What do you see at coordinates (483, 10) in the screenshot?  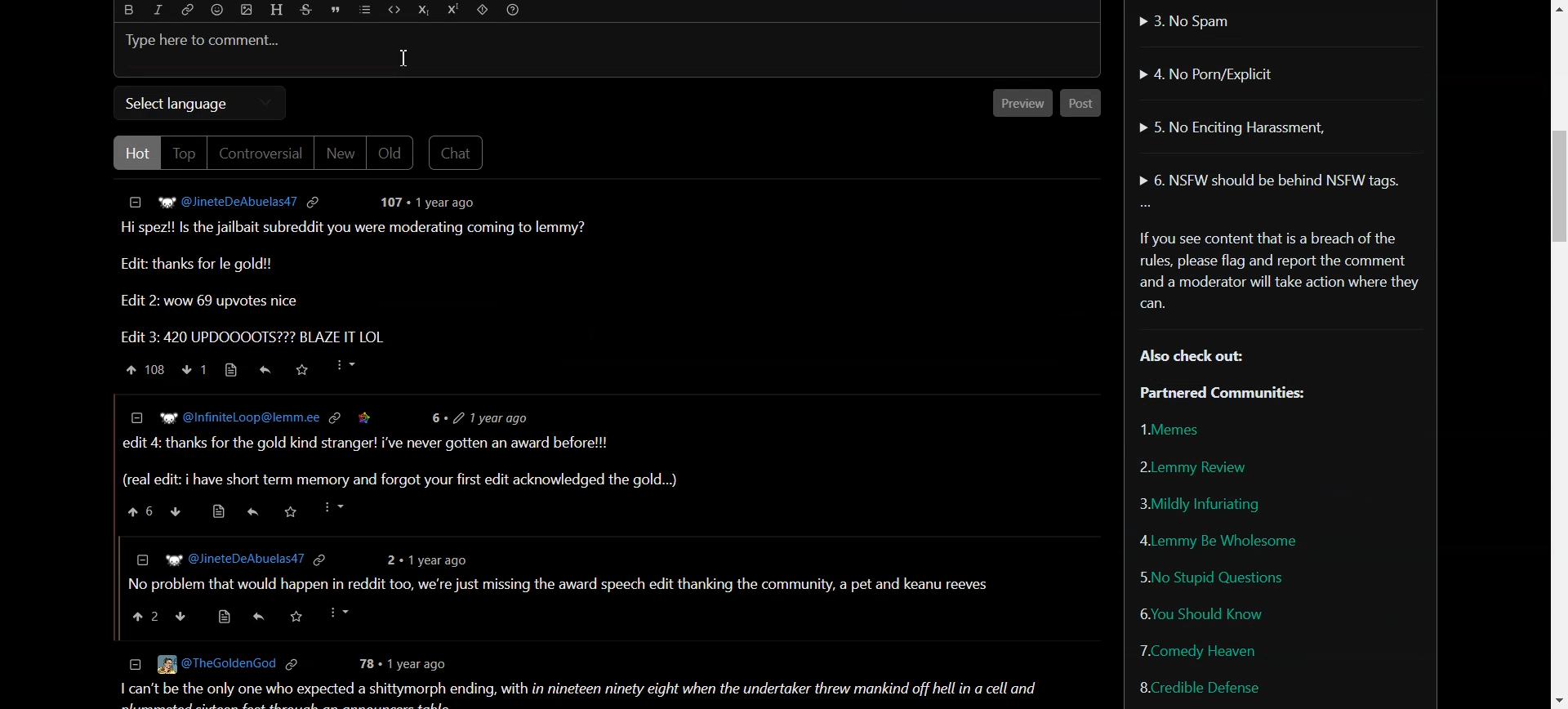 I see `Spoiler` at bounding box center [483, 10].